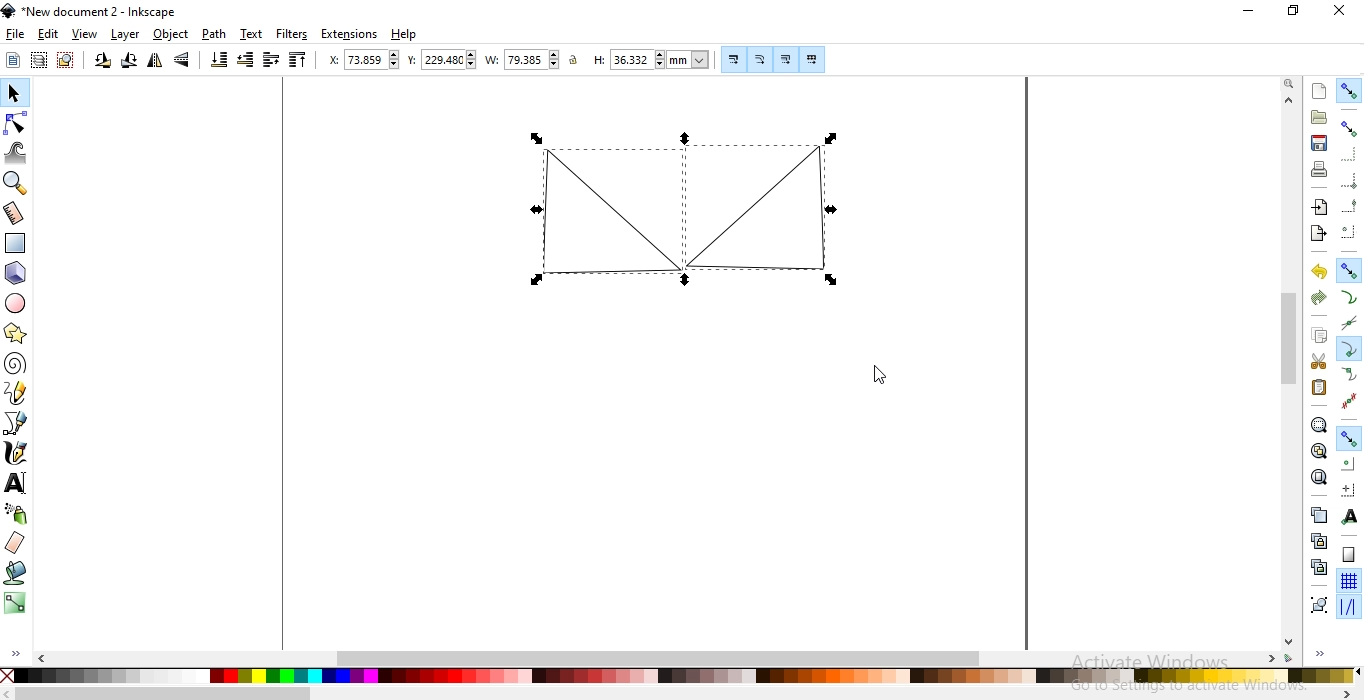 This screenshot has width=1364, height=700. I want to click on flip vertically, so click(183, 61).